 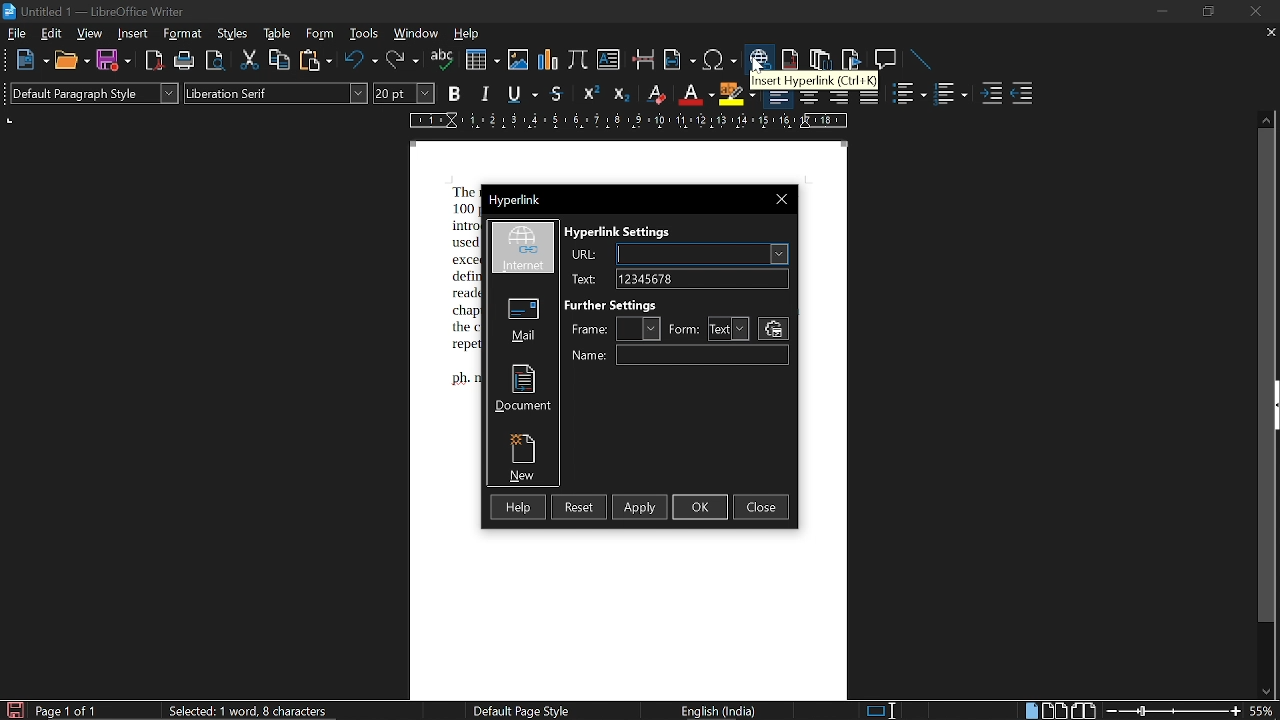 What do you see at coordinates (96, 11) in the screenshot?
I see `Untitled 1 -LibreOffice Writer` at bounding box center [96, 11].